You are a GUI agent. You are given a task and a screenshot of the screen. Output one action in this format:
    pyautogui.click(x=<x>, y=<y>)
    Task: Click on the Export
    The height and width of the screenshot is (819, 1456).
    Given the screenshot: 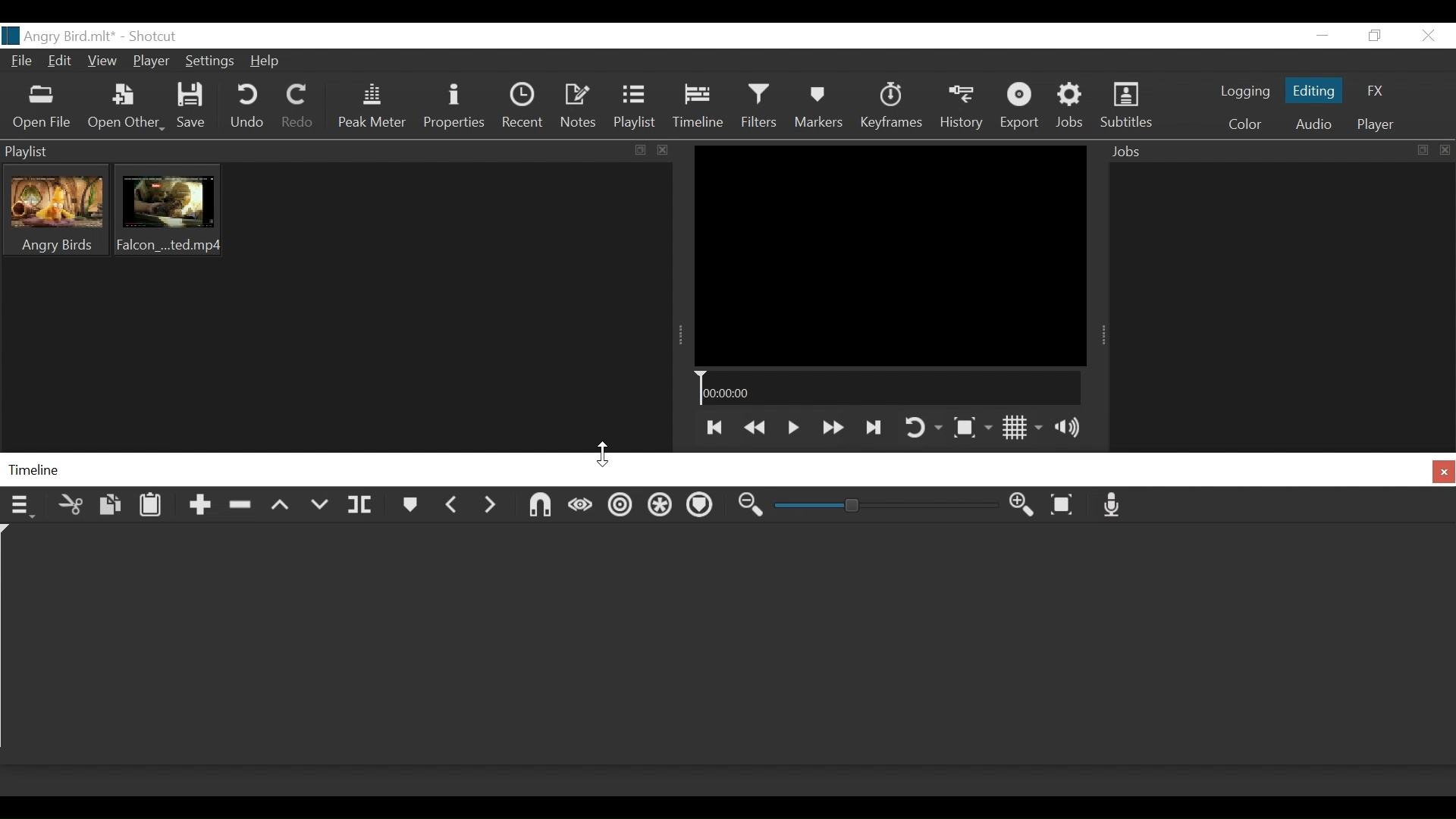 What is the action you would take?
    pyautogui.click(x=1021, y=106)
    